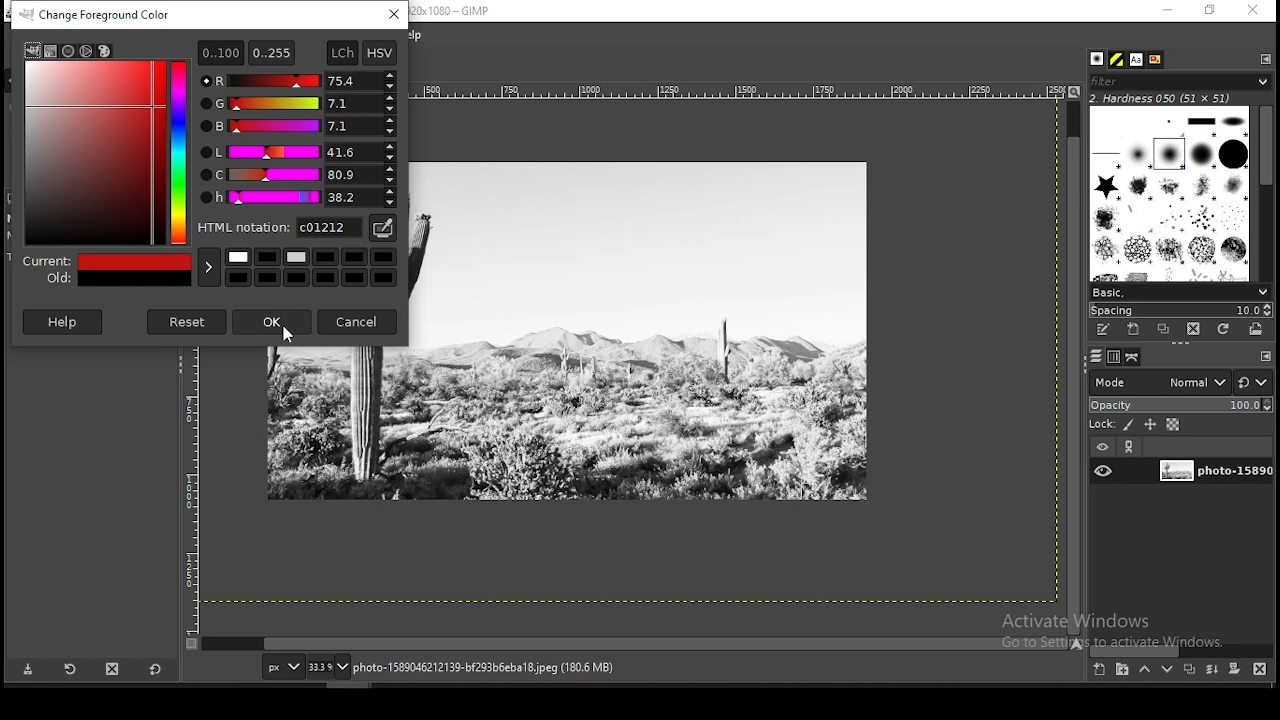 The image size is (1280, 720). I want to click on delete tool preset, so click(112, 669).